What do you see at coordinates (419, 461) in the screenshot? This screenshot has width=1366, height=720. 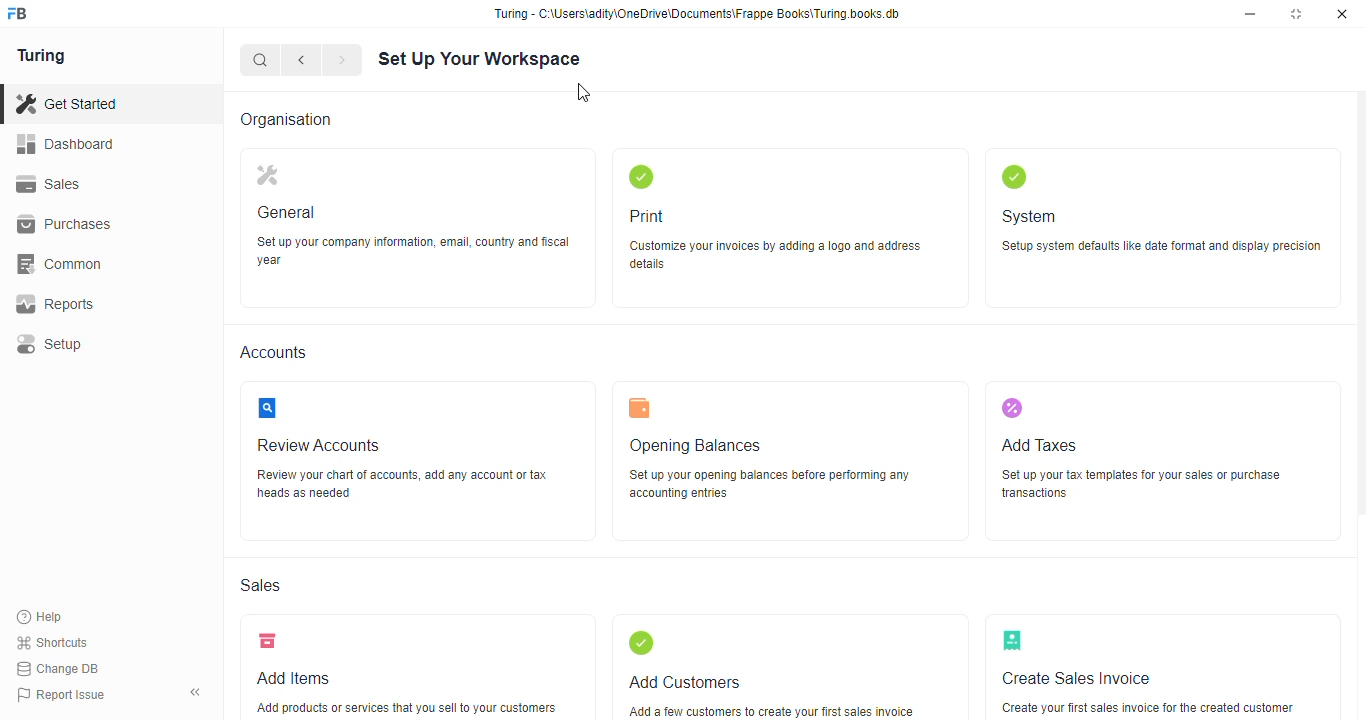 I see `Review AccountsReview your chart of accounts, add any account or tax heads as needed` at bounding box center [419, 461].